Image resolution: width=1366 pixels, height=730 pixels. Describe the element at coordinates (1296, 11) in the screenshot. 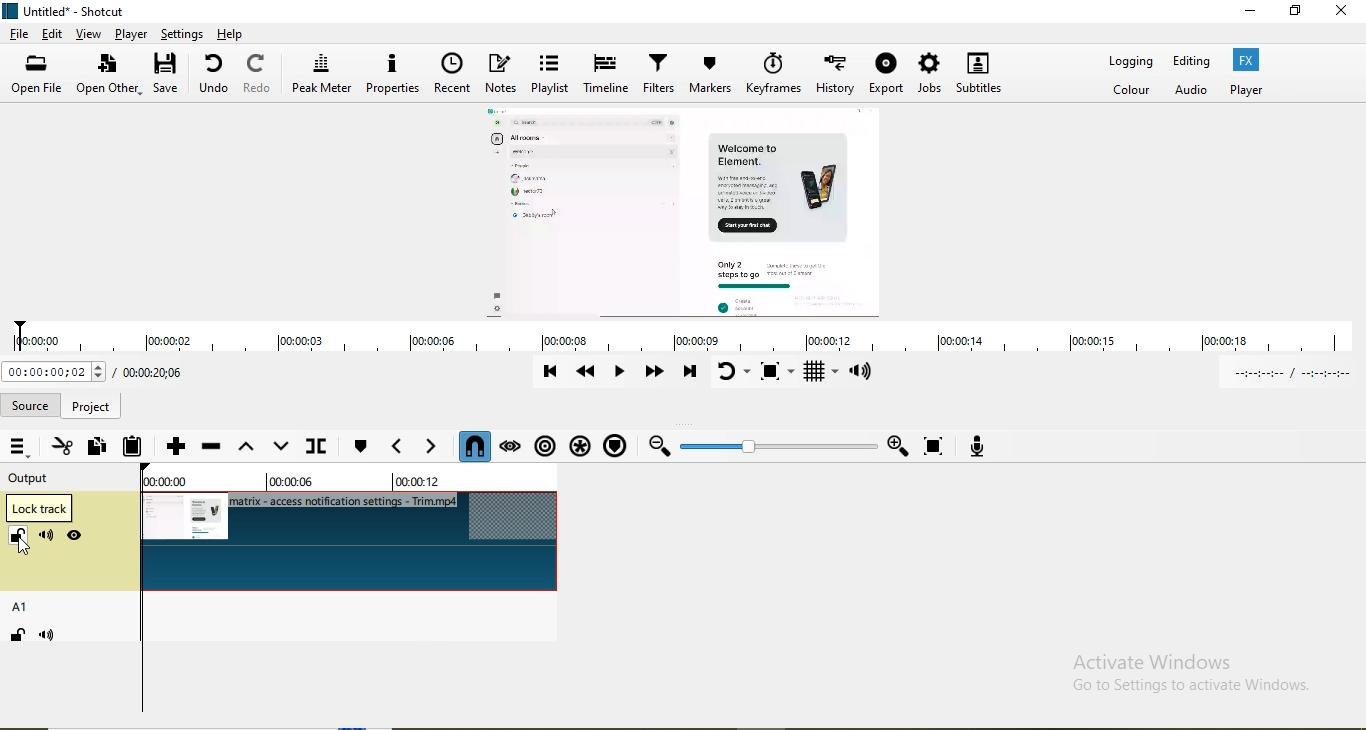

I see `Restore` at that location.